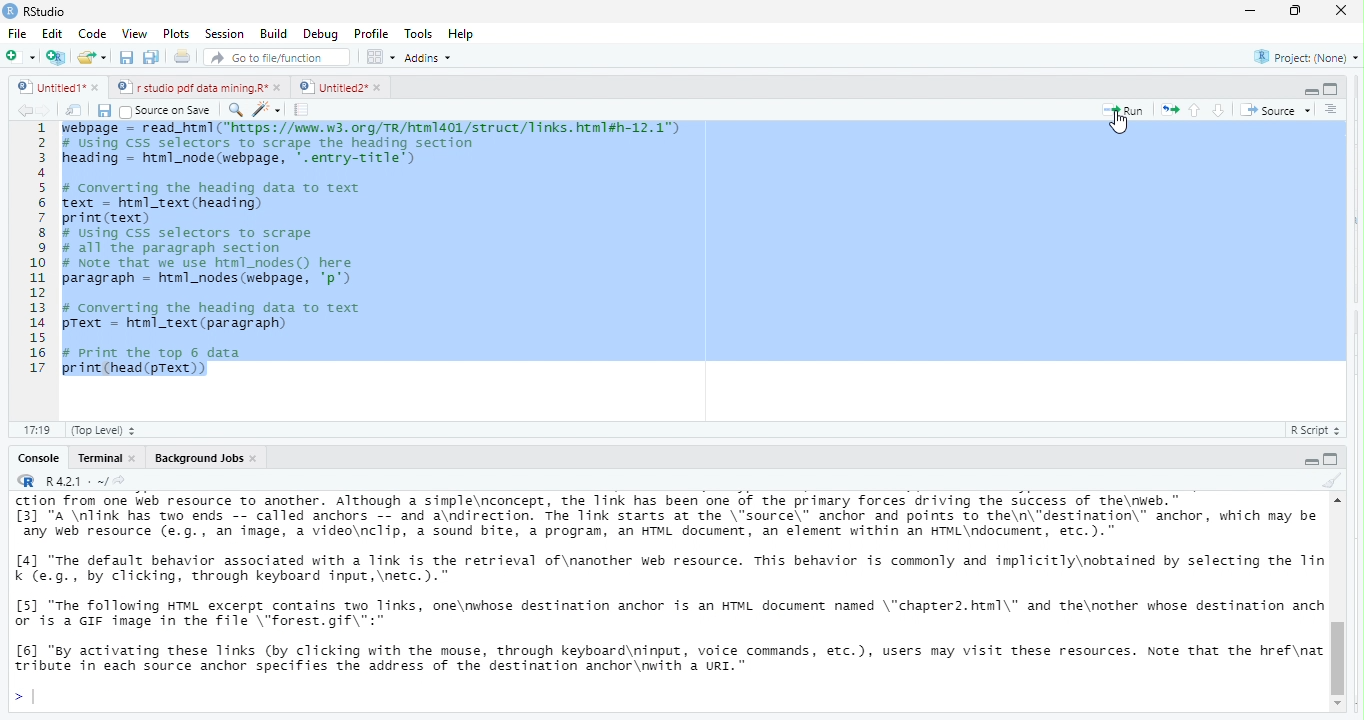  What do you see at coordinates (420, 33) in the screenshot?
I see `Tools` at bounding box center [420, 33].